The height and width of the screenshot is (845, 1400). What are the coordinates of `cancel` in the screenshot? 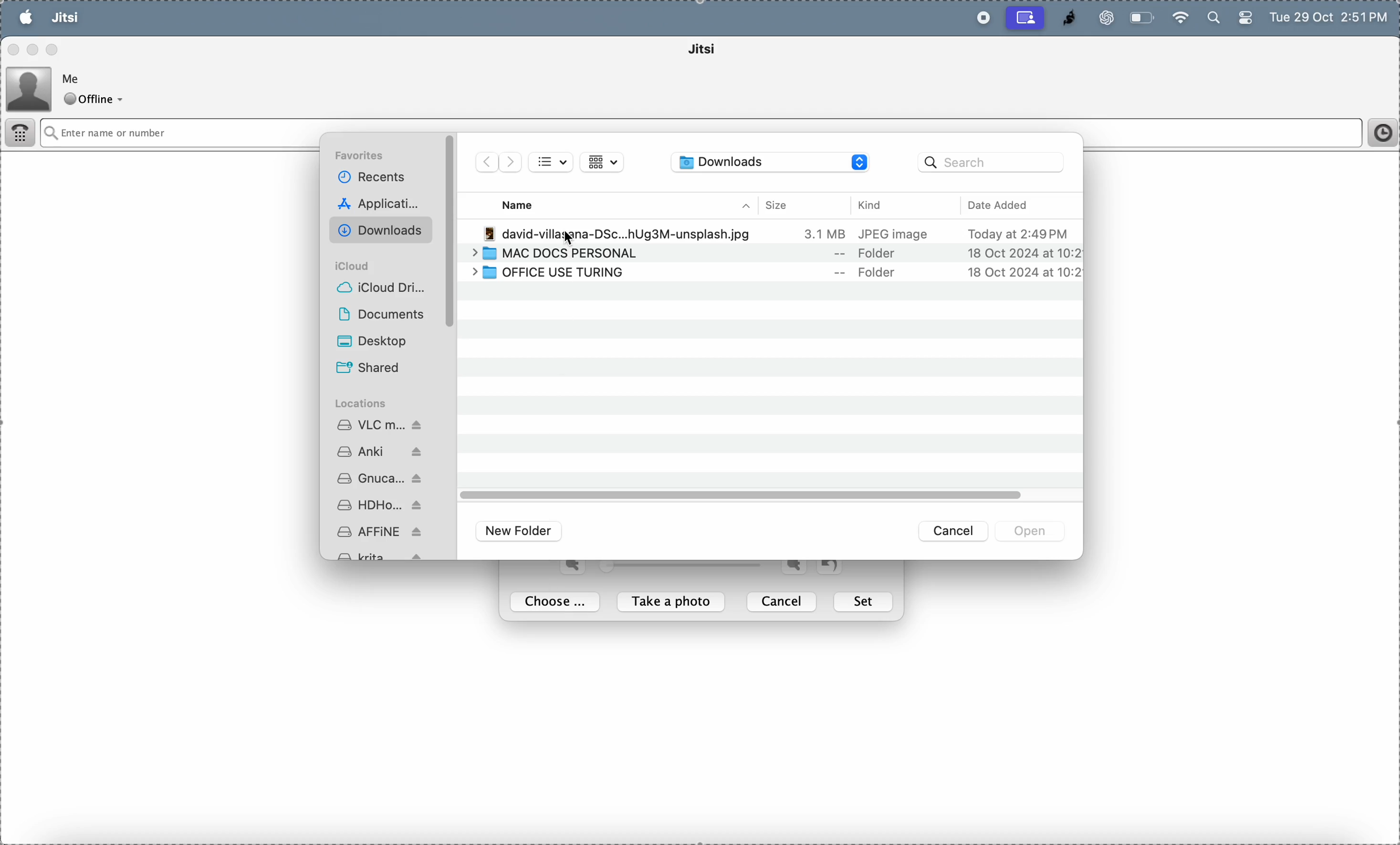 It's located at (955, 532).